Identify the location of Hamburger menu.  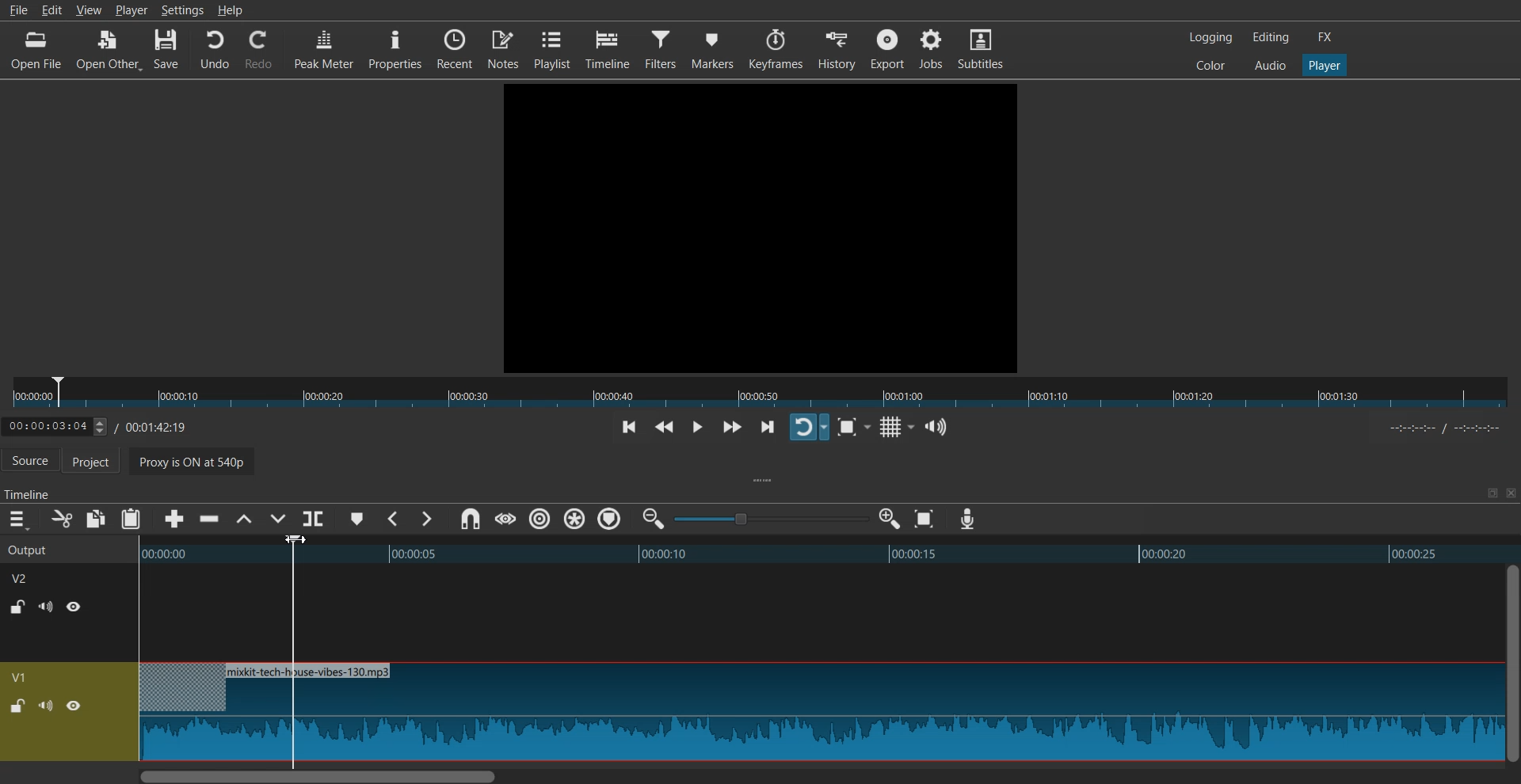
(17, 519).